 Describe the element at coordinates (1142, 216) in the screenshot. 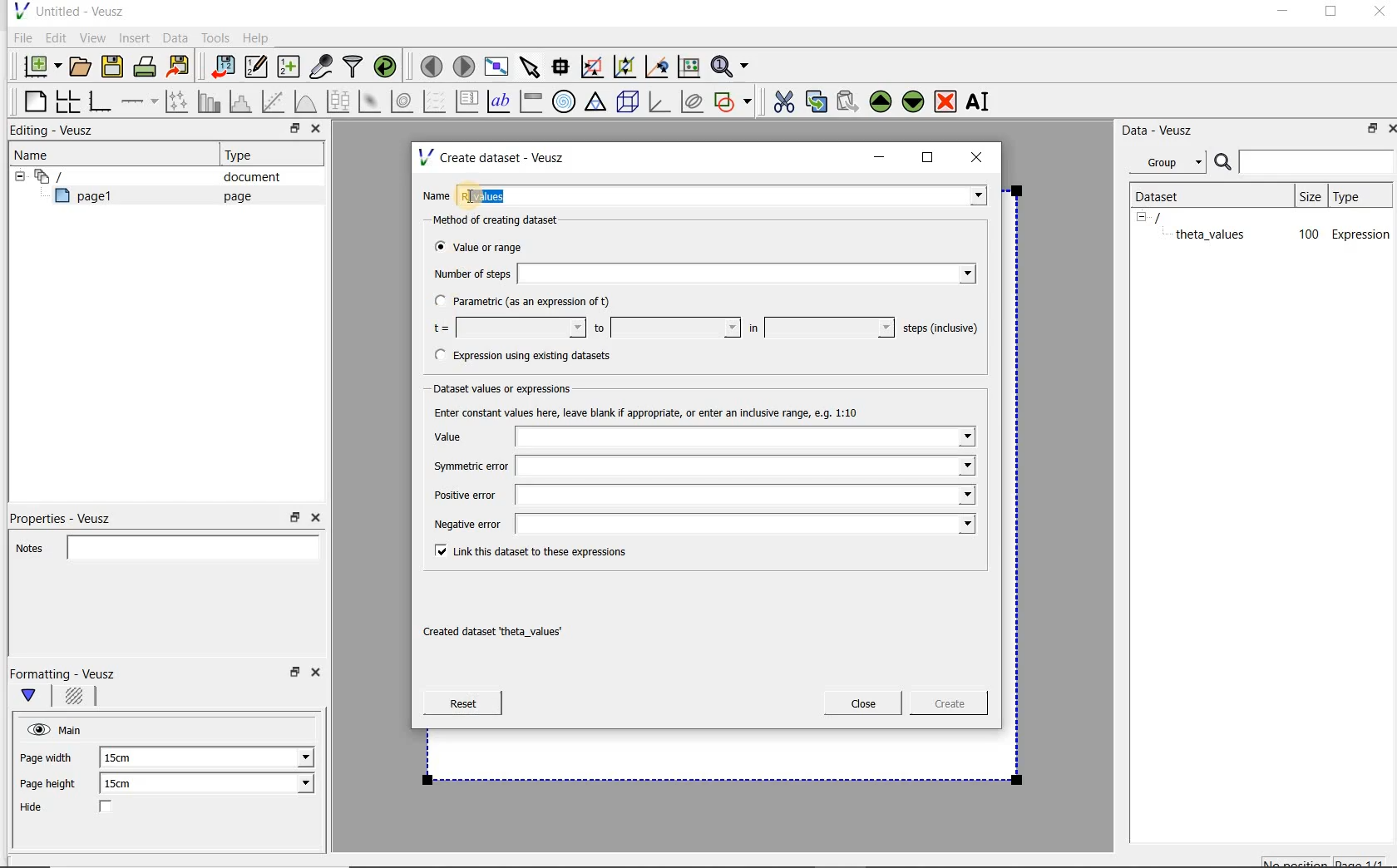

I see `hide sub menu` at that location.